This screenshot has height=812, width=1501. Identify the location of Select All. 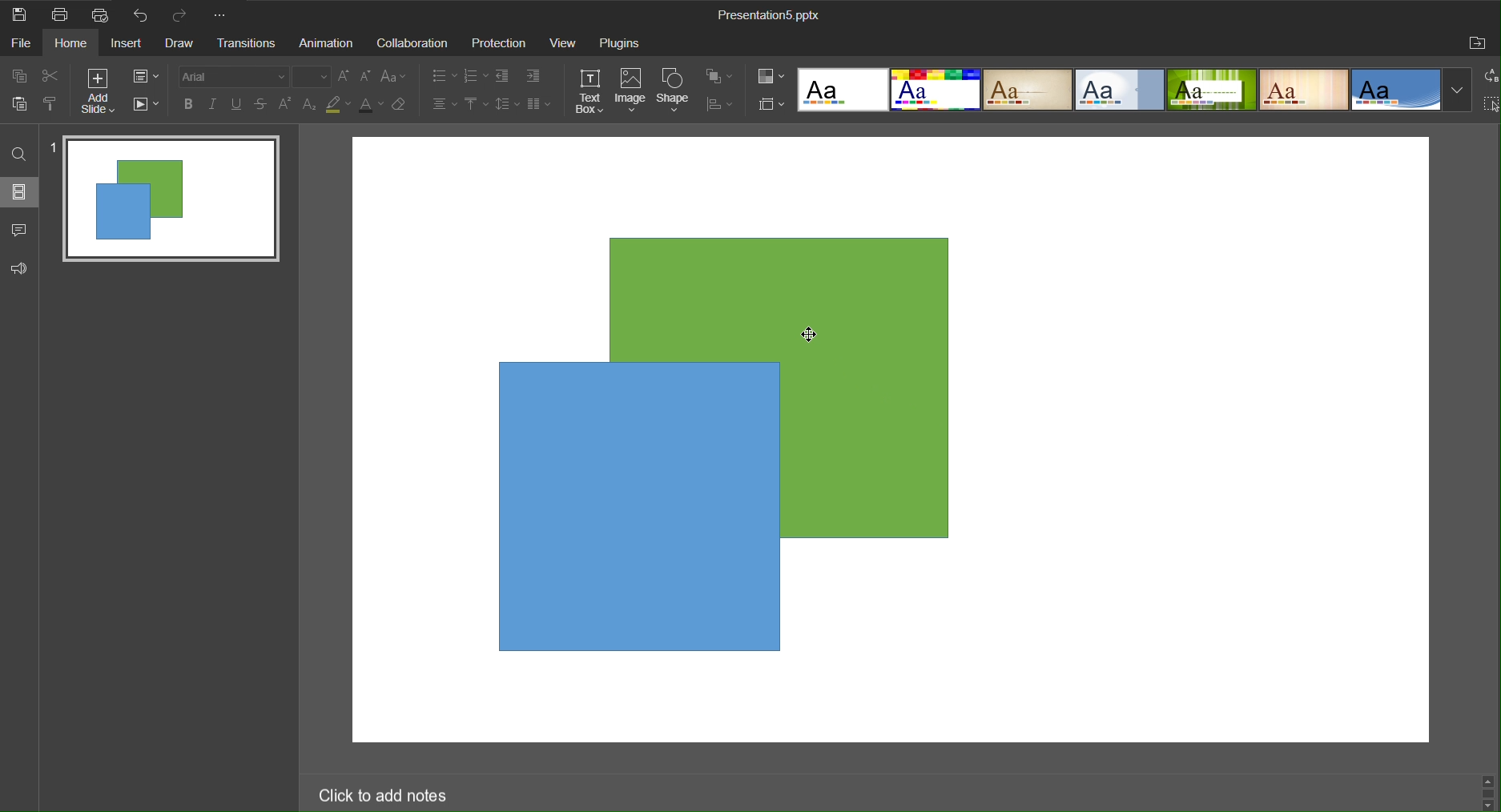
(1491, 107).